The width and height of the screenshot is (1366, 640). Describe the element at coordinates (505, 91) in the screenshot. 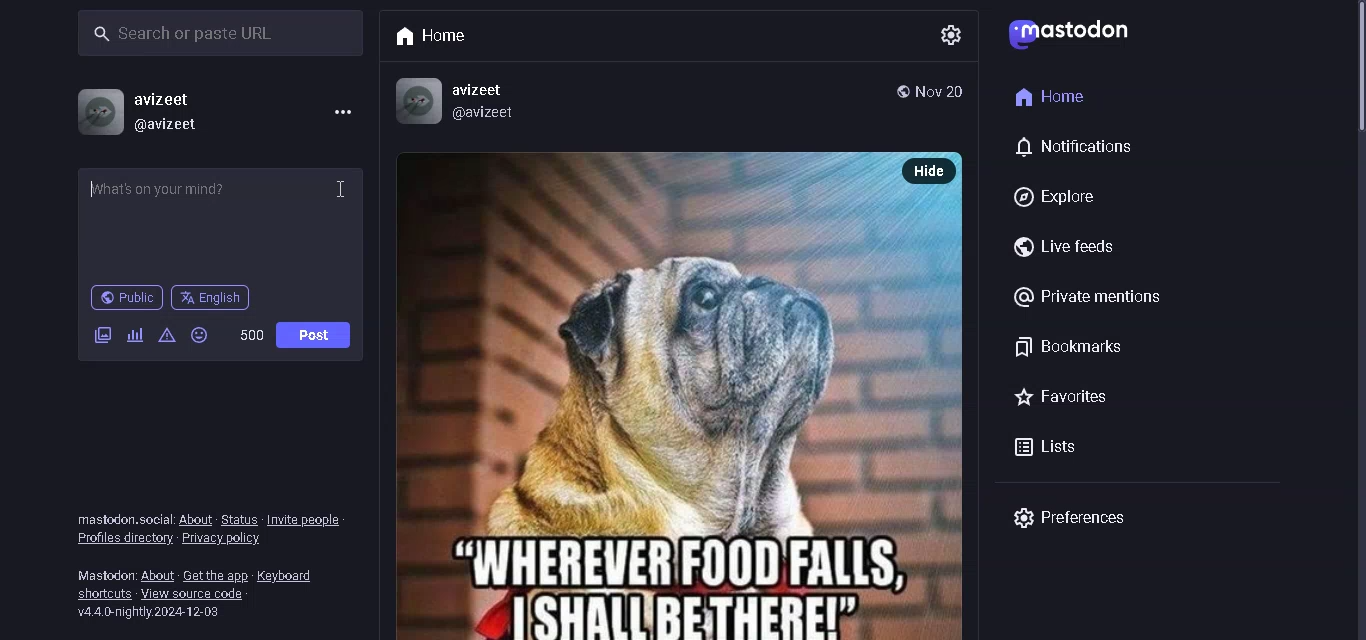

I see `avizeet` at that location.